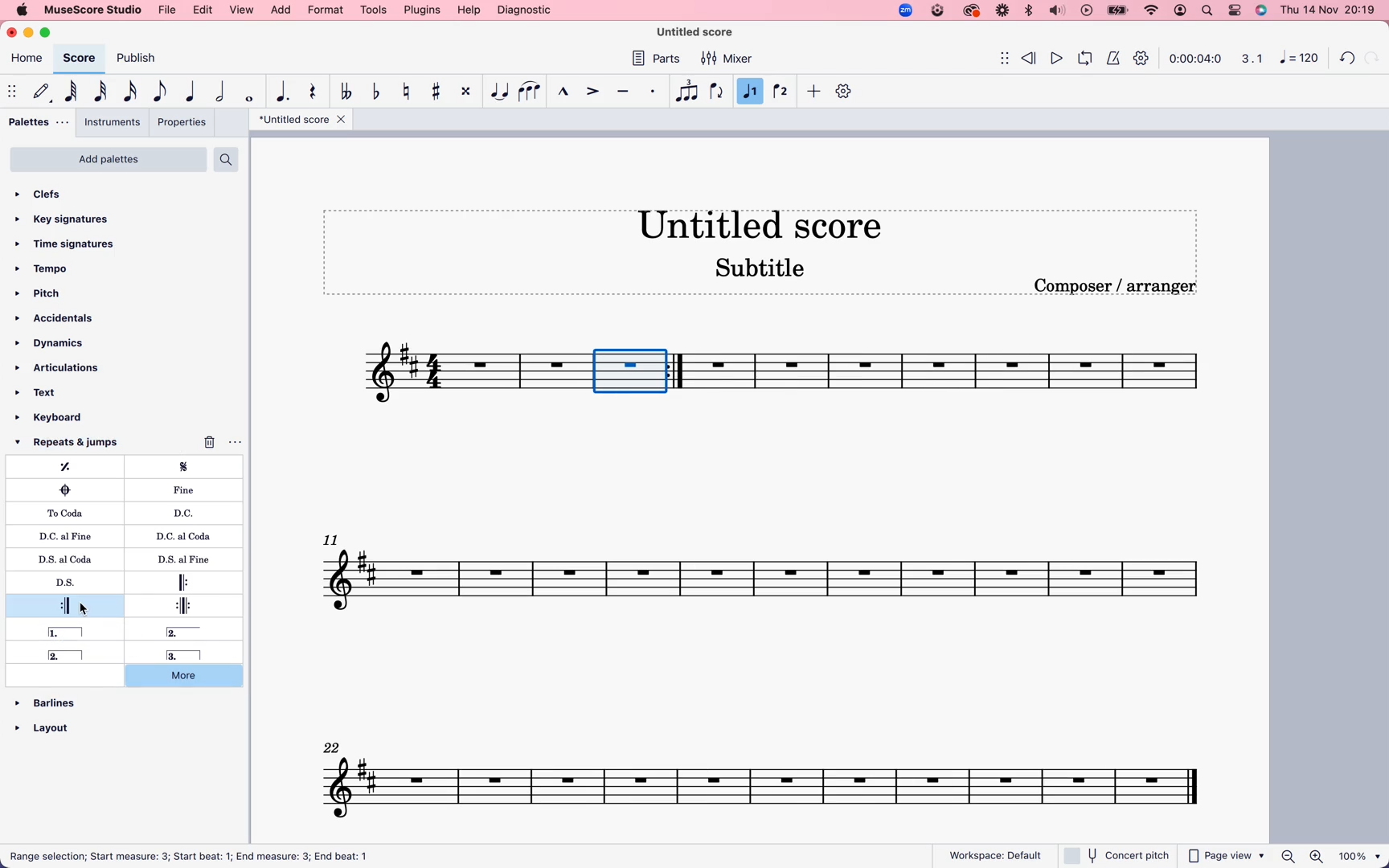 This screenshot has width=1389, height=868. I want to click on keyboard, so click(66, 417).